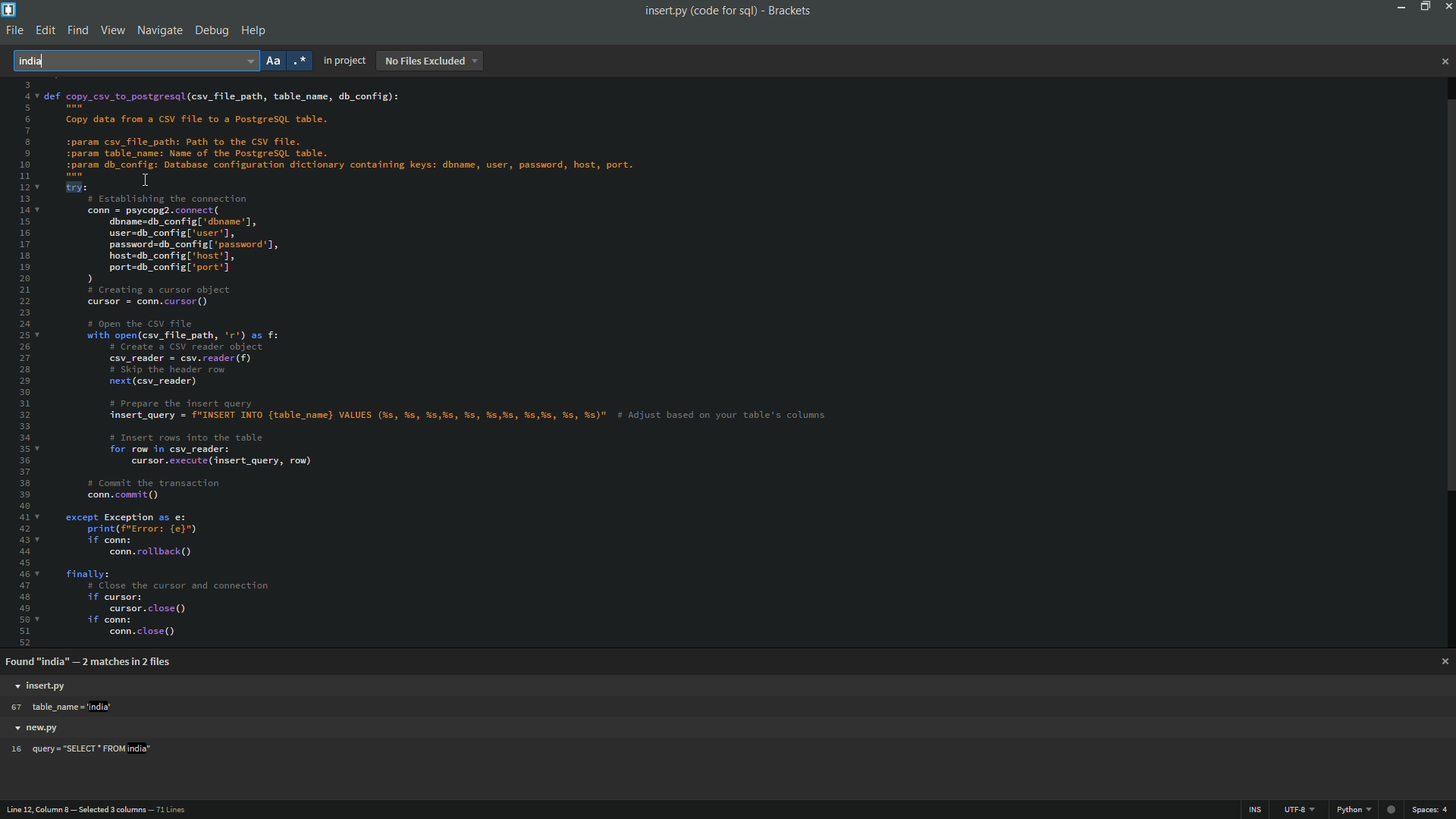 This screenshot has width=1456, height=819. Describe the element at coordinates (256, 31) in the screenshot. I see `help menu` at that location.